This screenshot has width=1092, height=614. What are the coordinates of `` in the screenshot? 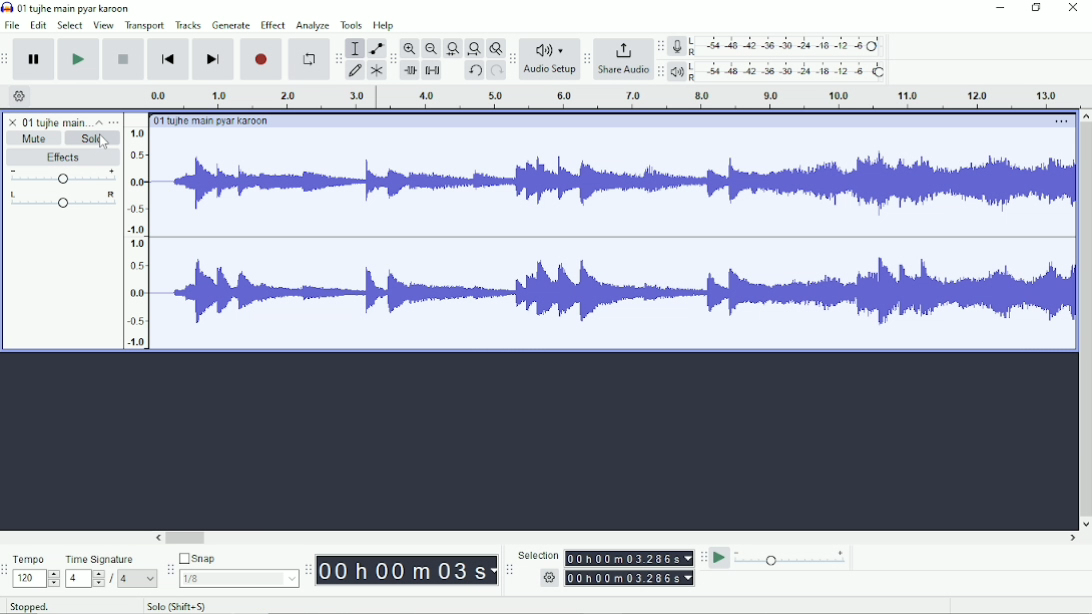 It's located at (85, 578).